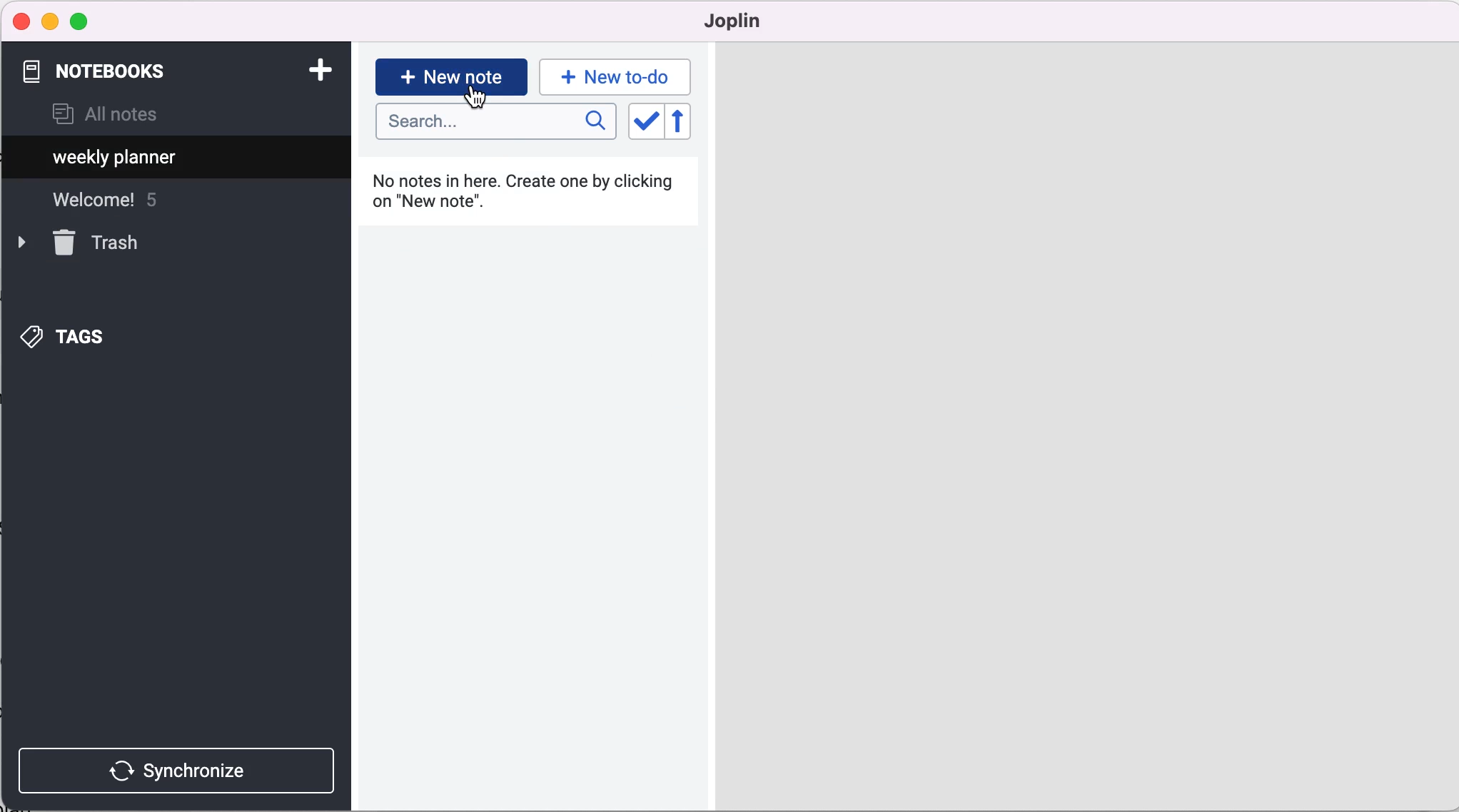 Image resolution: width=1459 pixels, height=812 pixels. I want to click on maximize, so click(82, 22).